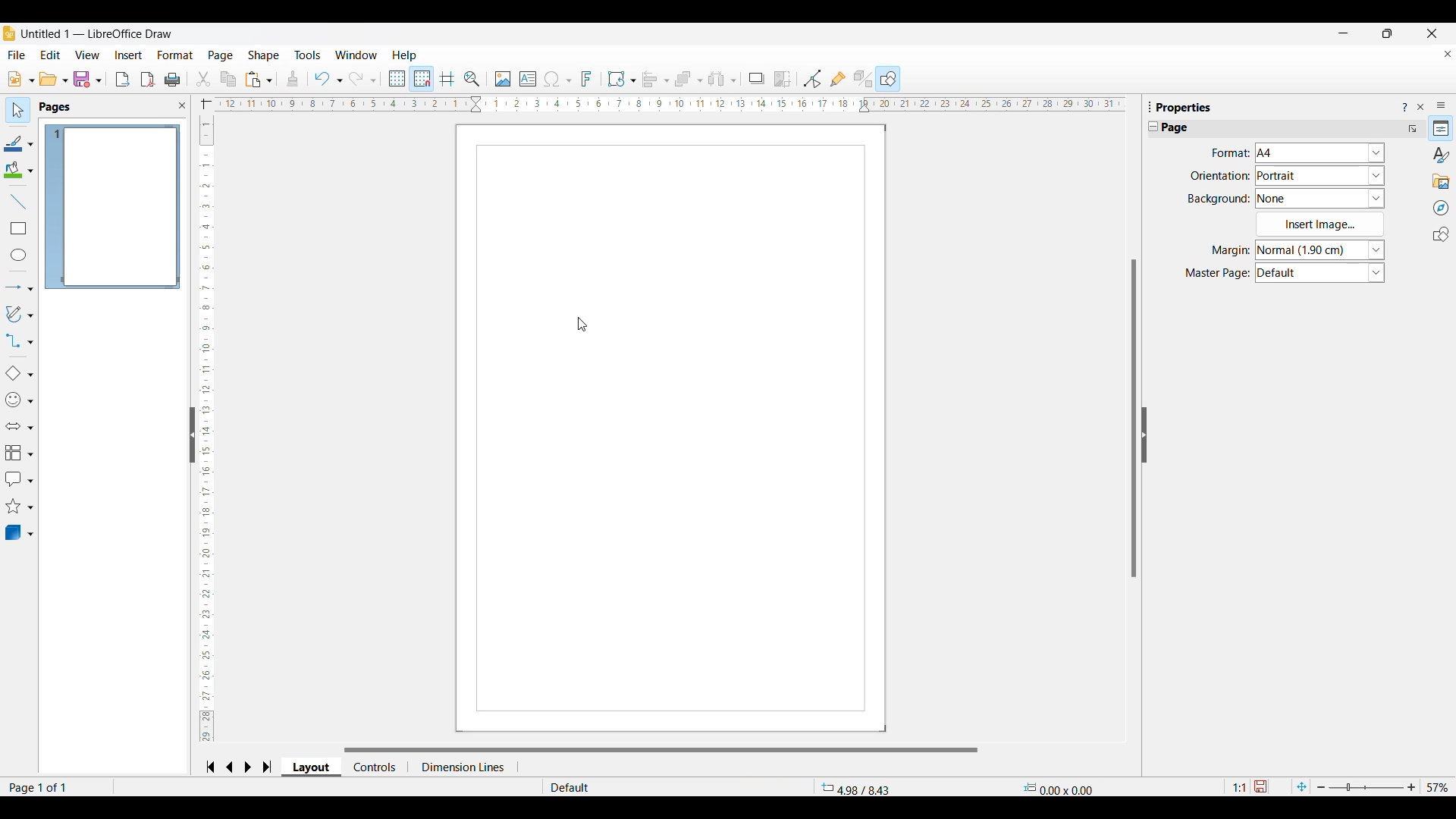  Describe the element at coordinates (660, 105) in the screenshot. I see `Horizontal ruler` at that location.